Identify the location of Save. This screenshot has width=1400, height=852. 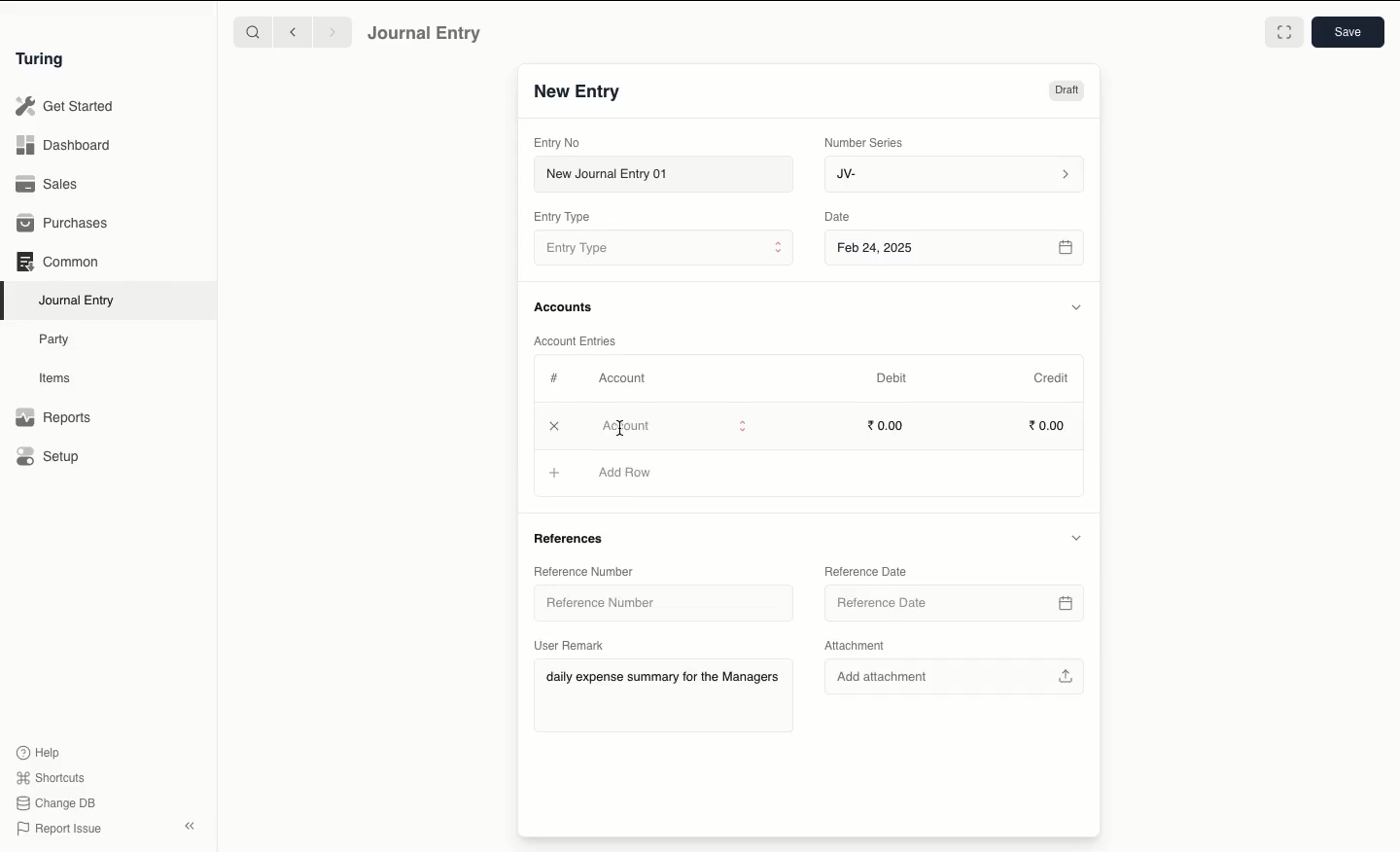
(1348, 32).